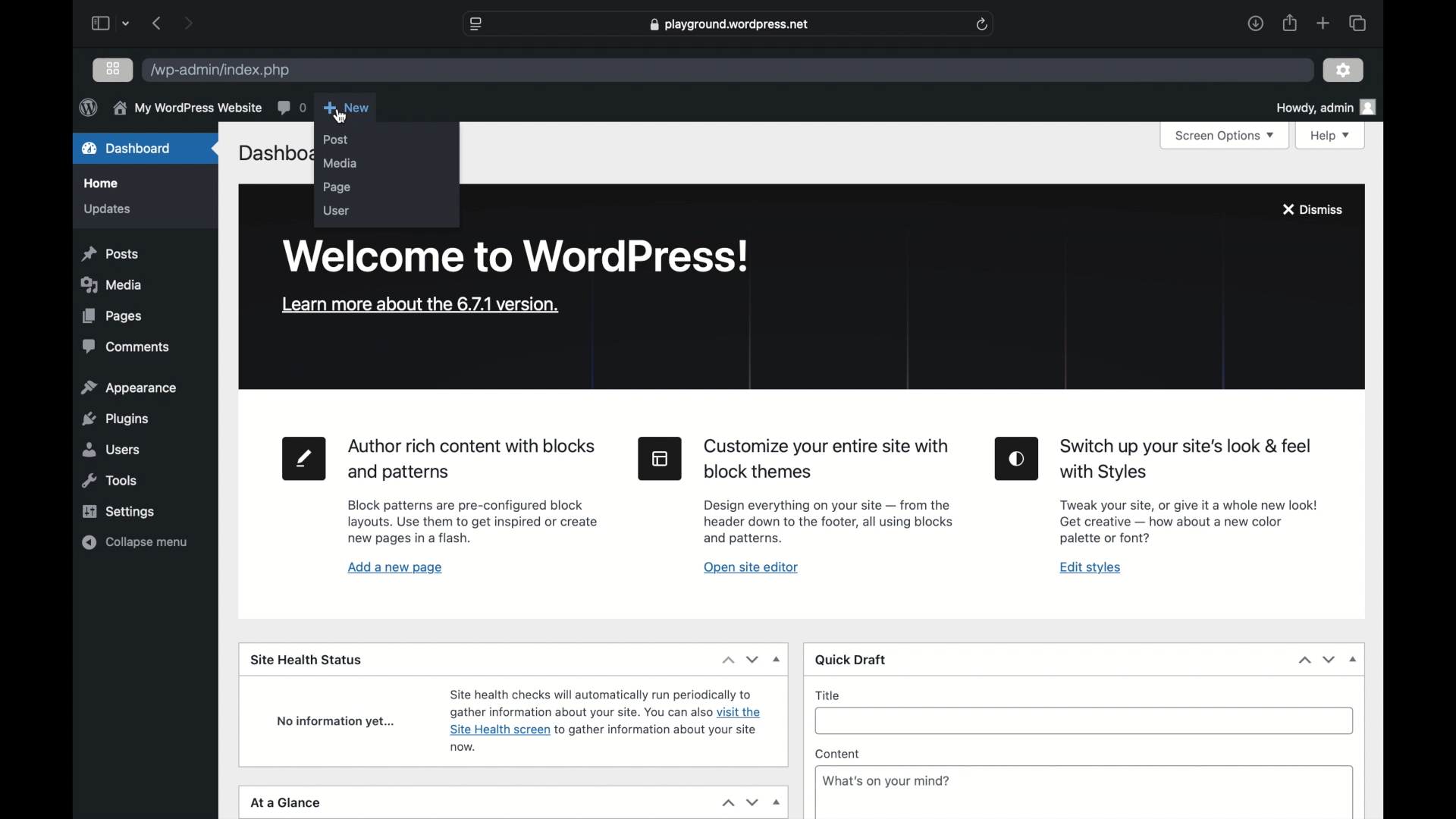  What do you see at coordinates (1318, 660) in the screenshot?
I see `stepper buttons` at bounding box center [1318, 660].